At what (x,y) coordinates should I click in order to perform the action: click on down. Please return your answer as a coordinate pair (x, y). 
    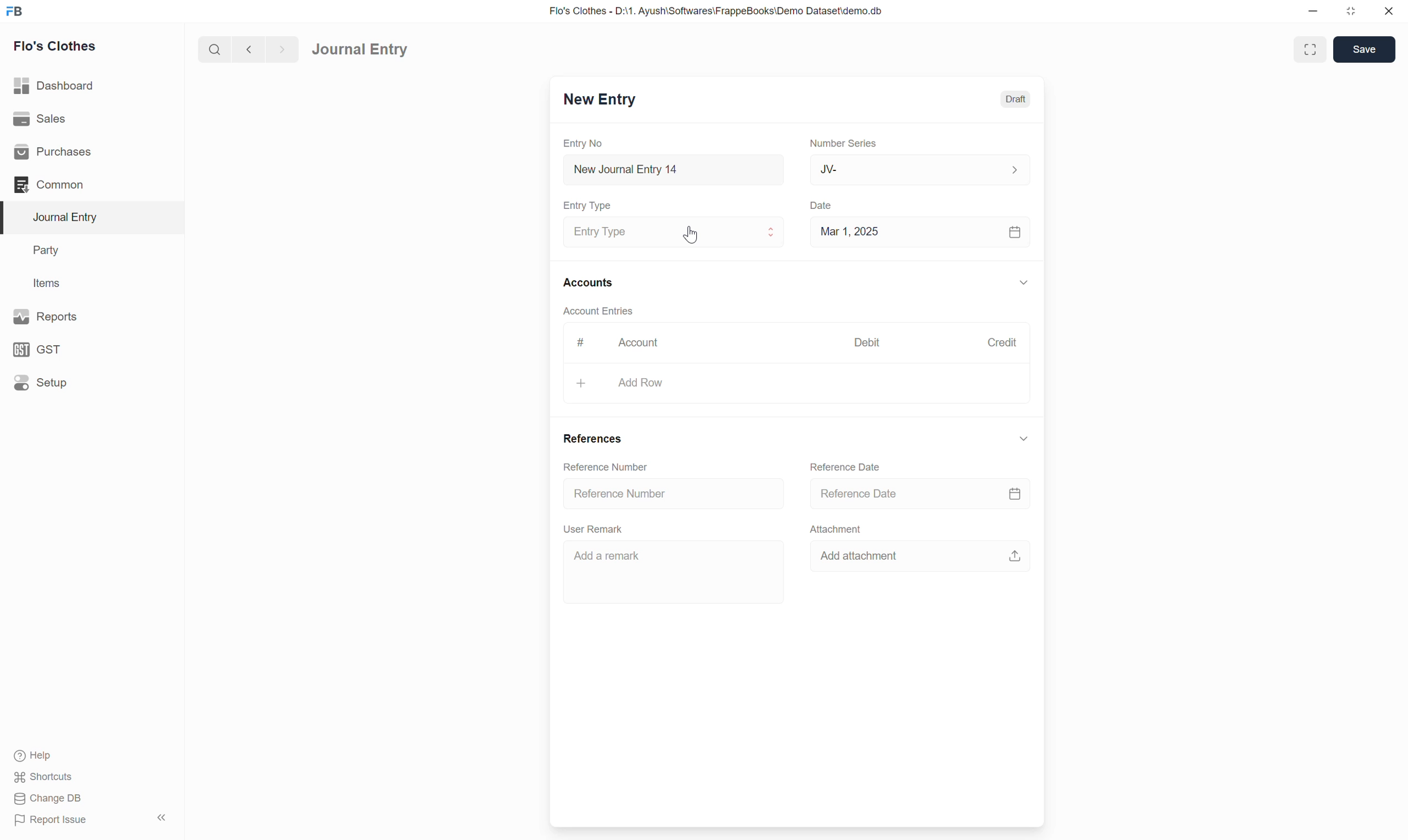
    Looking at the image, I should click on (1022, 284).